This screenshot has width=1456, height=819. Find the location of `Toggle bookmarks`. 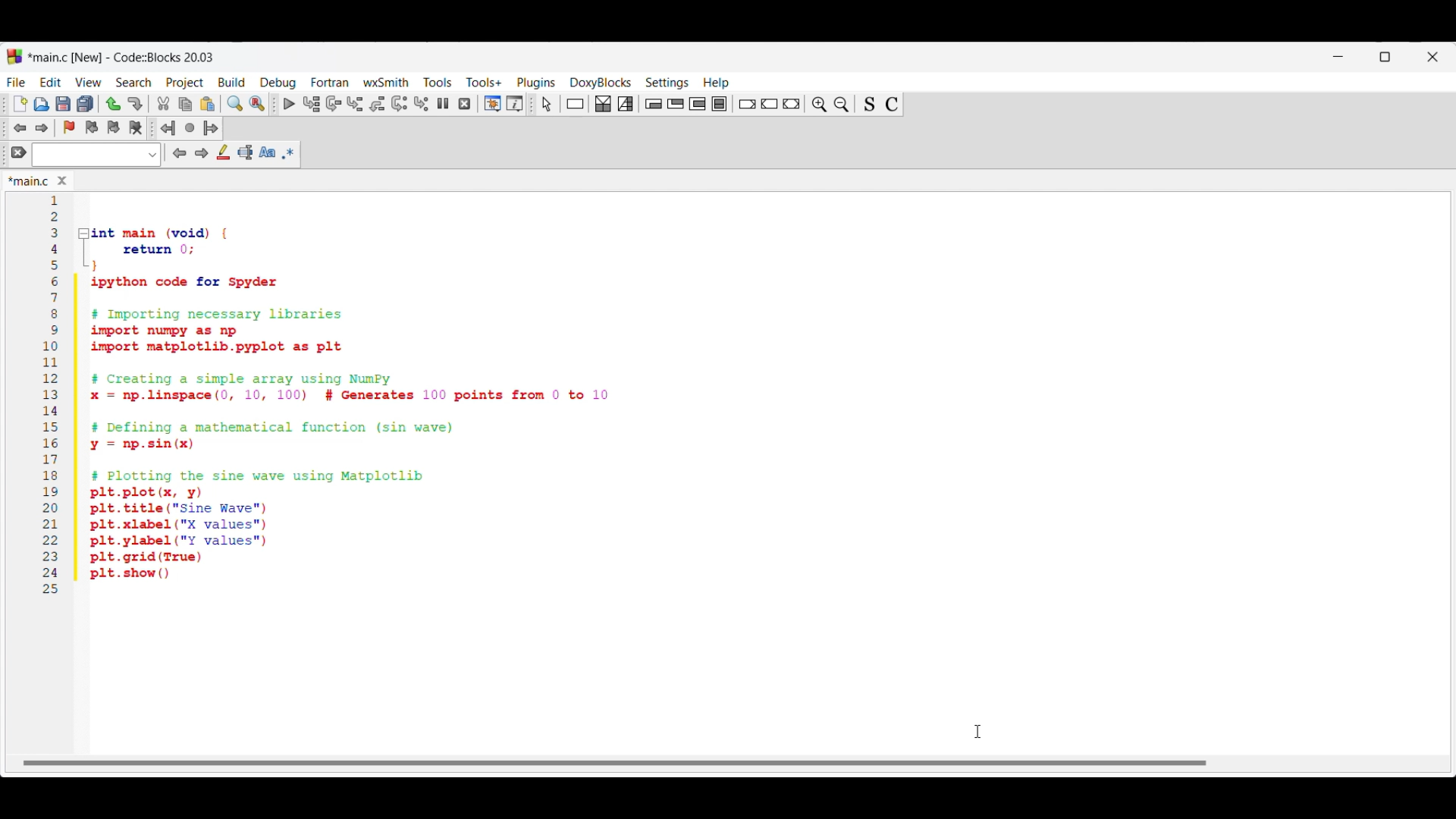

Toggle bookmarks is located at coordinates (69, 127).